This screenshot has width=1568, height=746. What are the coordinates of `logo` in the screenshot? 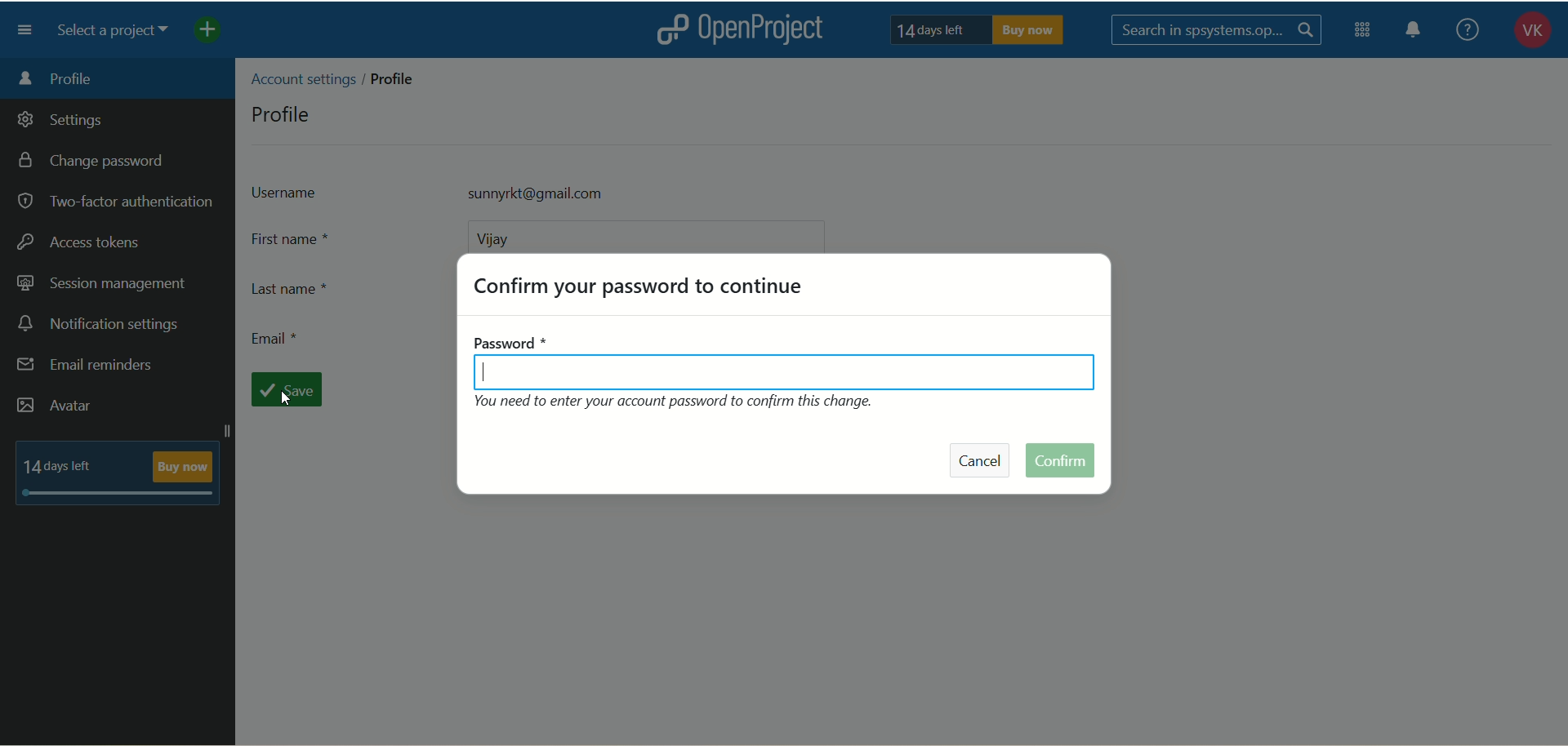 It's located at (670, 29).